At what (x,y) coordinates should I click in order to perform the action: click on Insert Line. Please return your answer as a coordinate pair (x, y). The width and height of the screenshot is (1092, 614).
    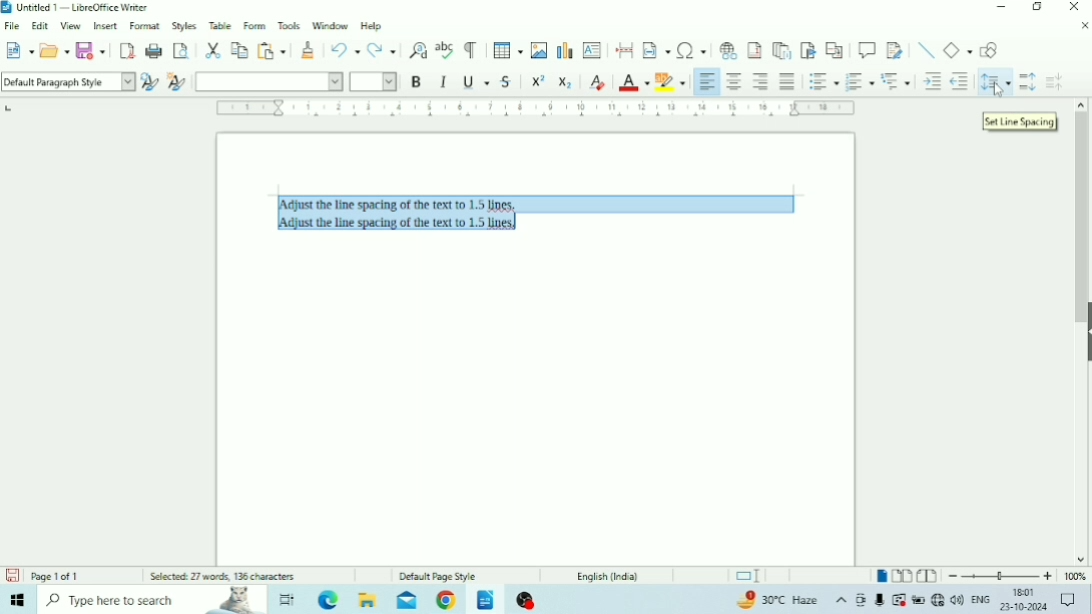
    Looking at the image, I should click on (925, 50).